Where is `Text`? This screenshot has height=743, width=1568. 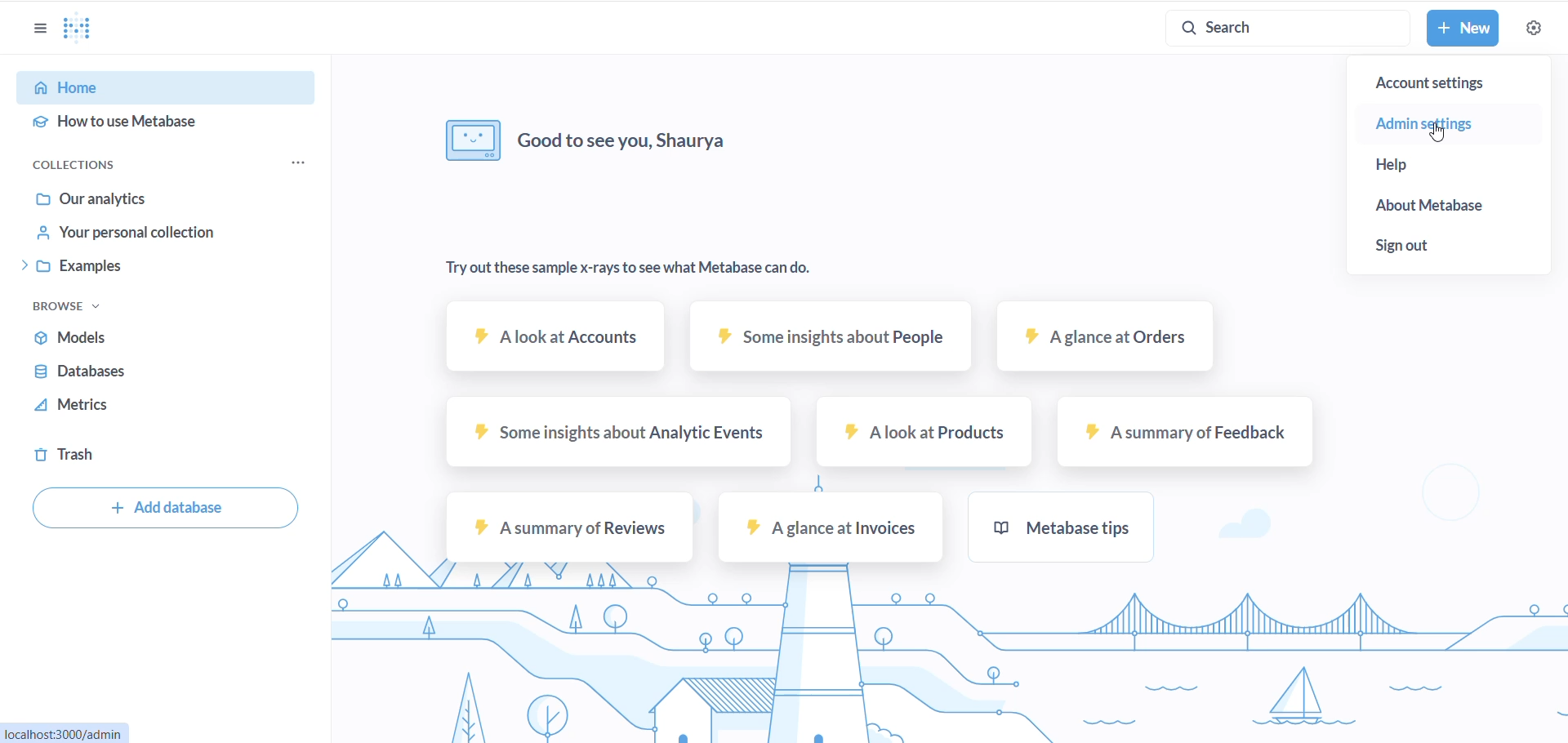
Text is located at coordinates (628, 269).